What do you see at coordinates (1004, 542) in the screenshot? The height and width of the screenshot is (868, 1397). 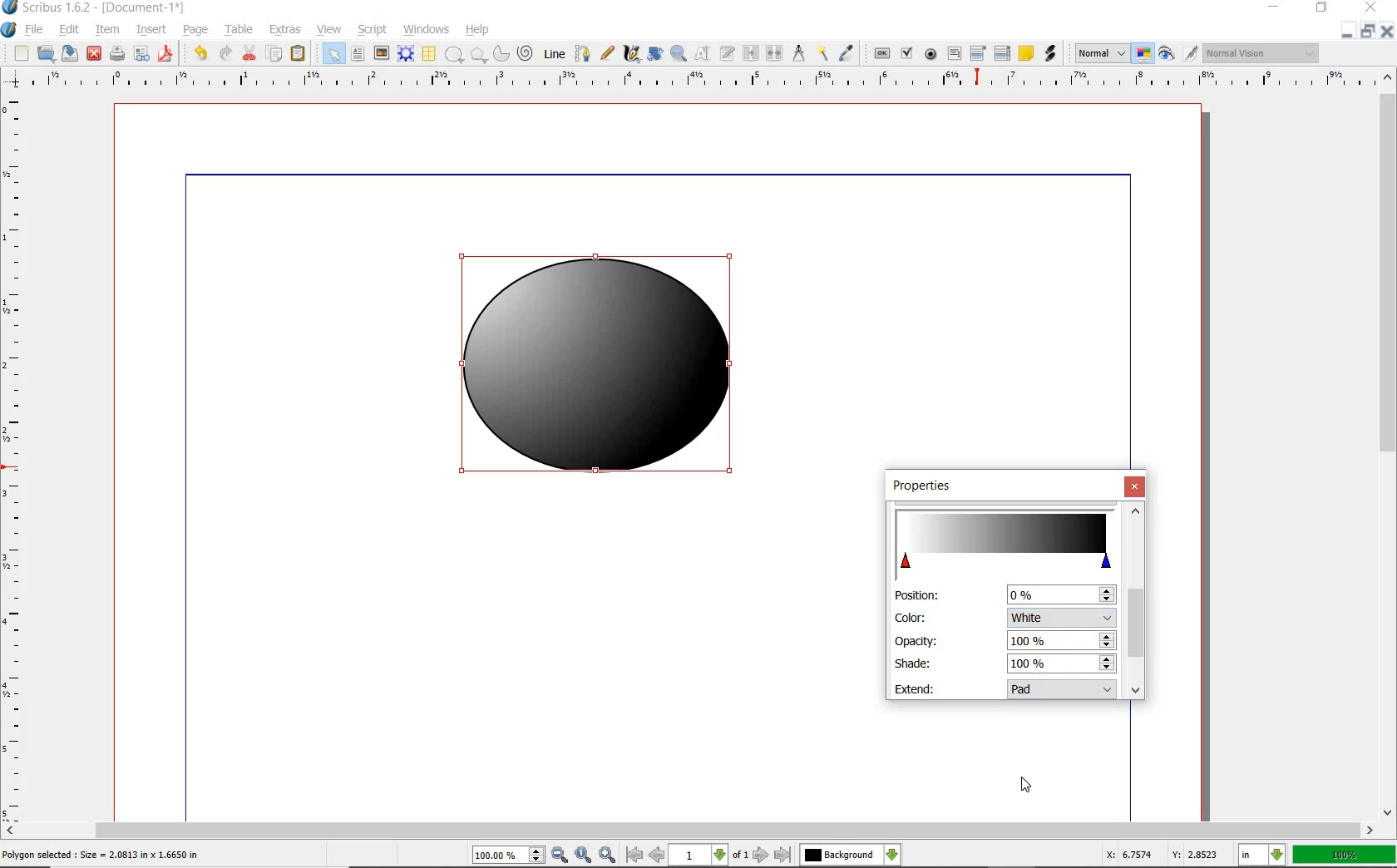 I see `change color stop` at bounding box center [1004, 542].